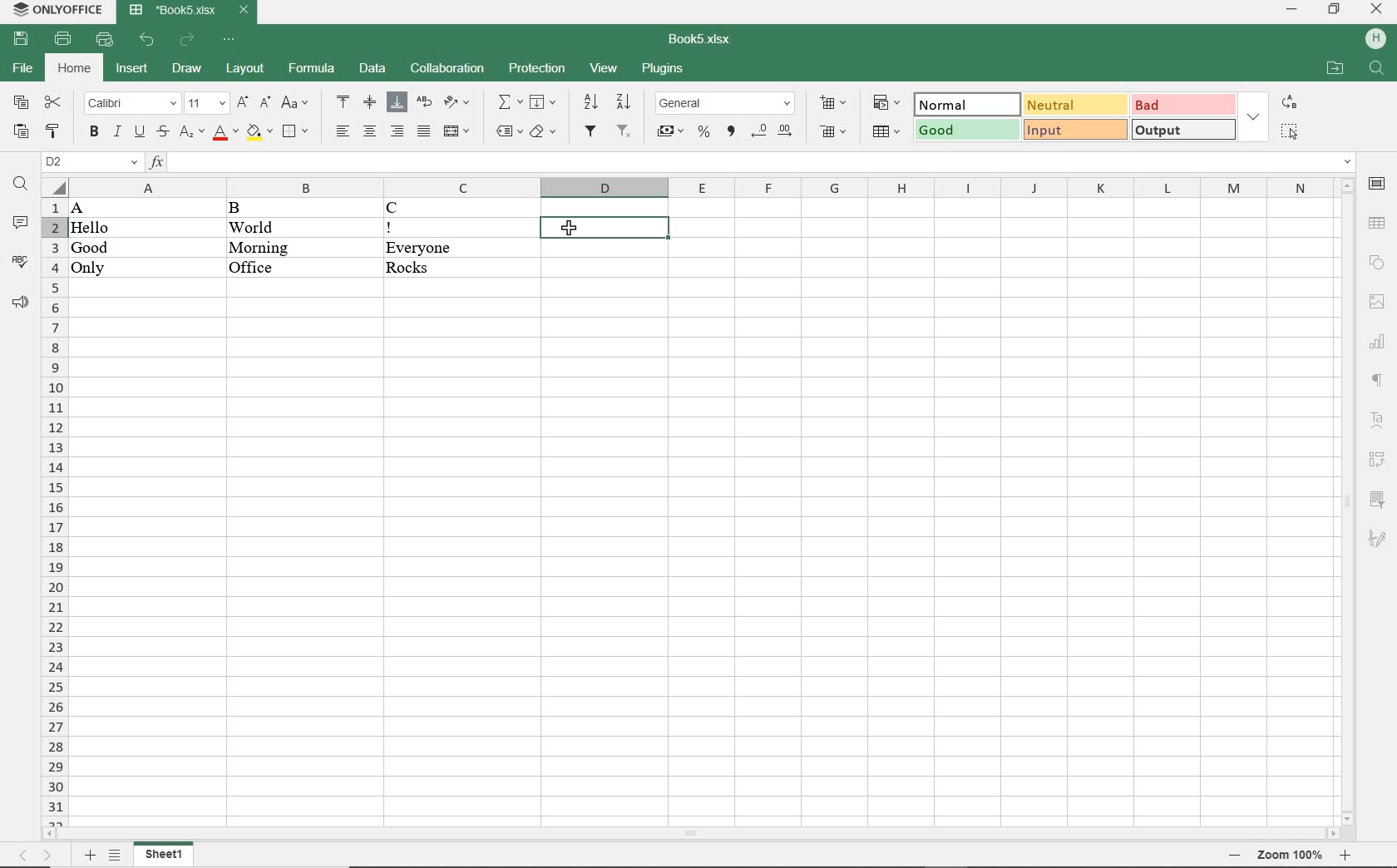  I want to click on ALIGN BOTTOM, so click(397, 104).